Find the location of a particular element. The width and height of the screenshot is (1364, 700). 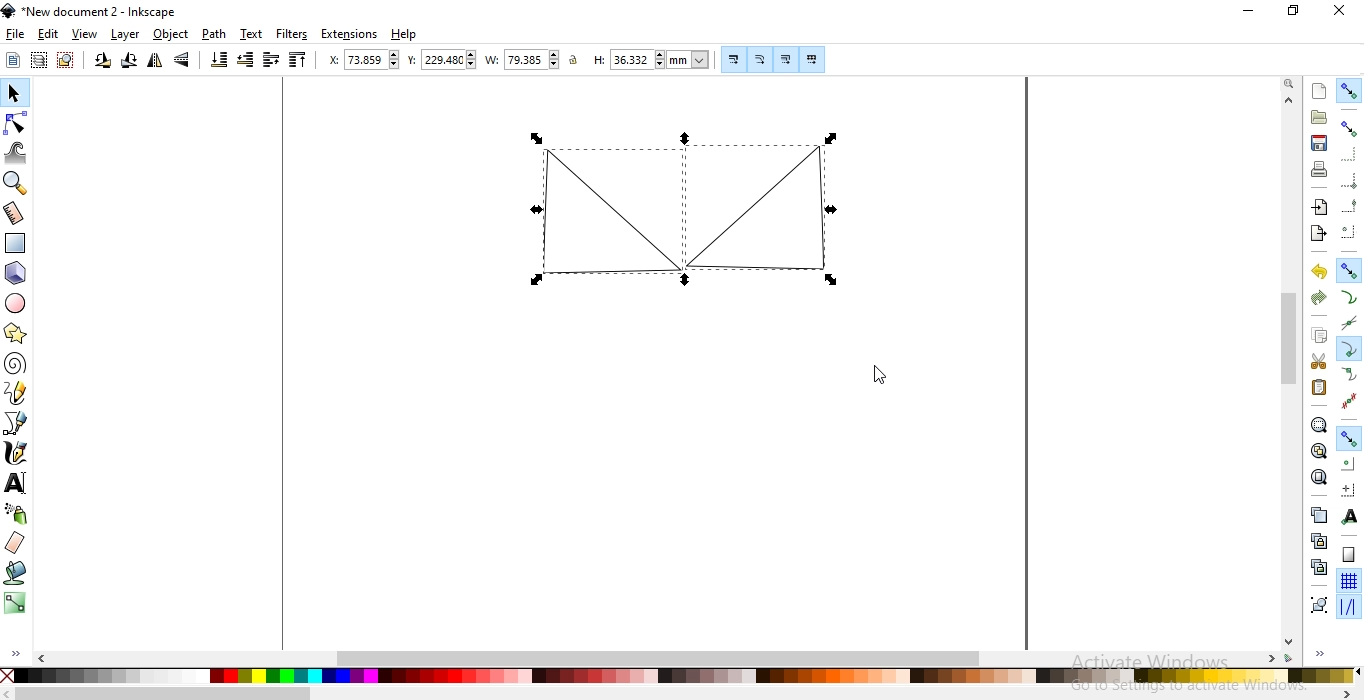

scrollbar is located at coordinates (667, 659).